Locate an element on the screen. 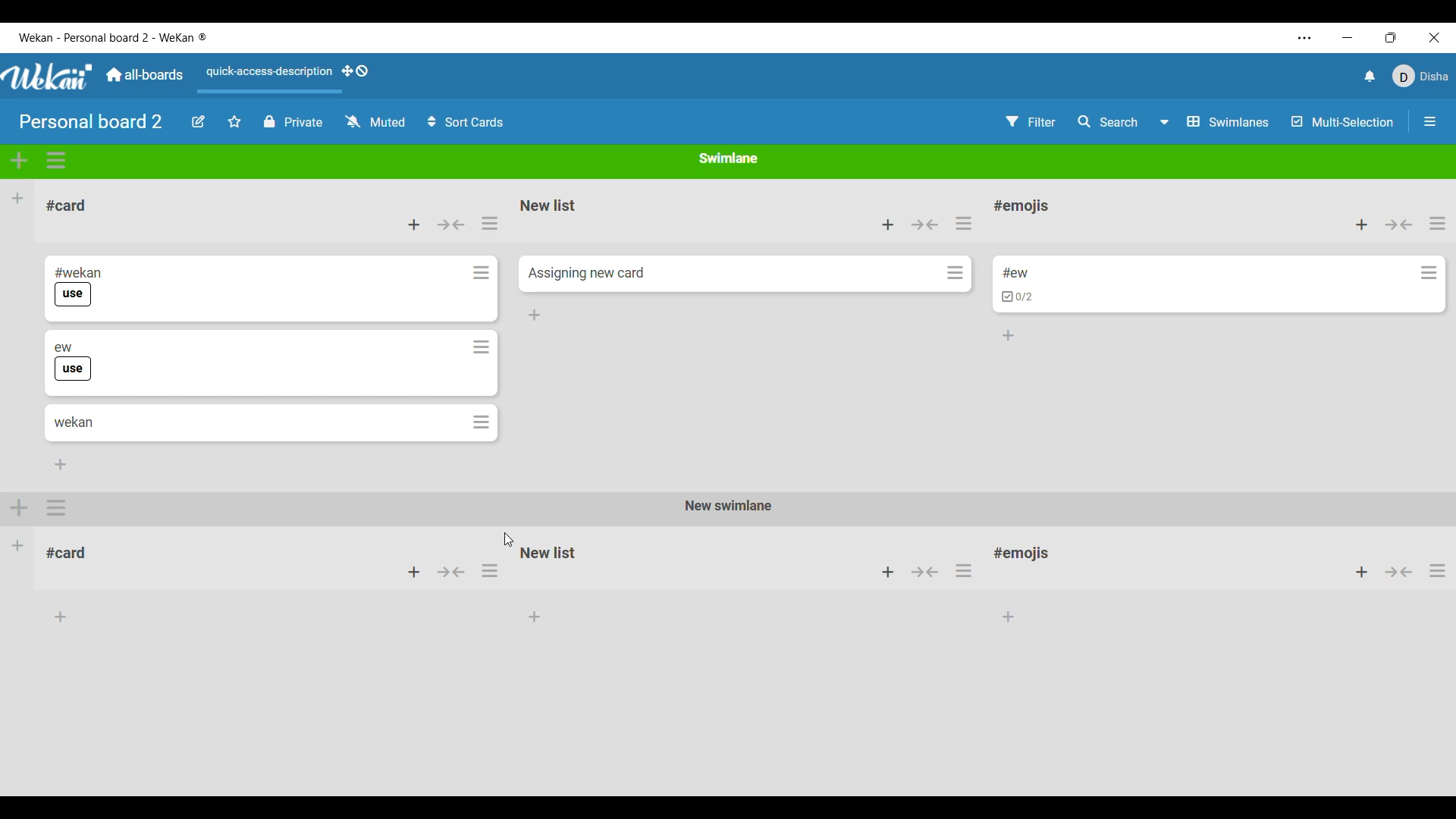 The height and width of the screenshot is (819, 1456). Star board is located at coordinates (235, 121).